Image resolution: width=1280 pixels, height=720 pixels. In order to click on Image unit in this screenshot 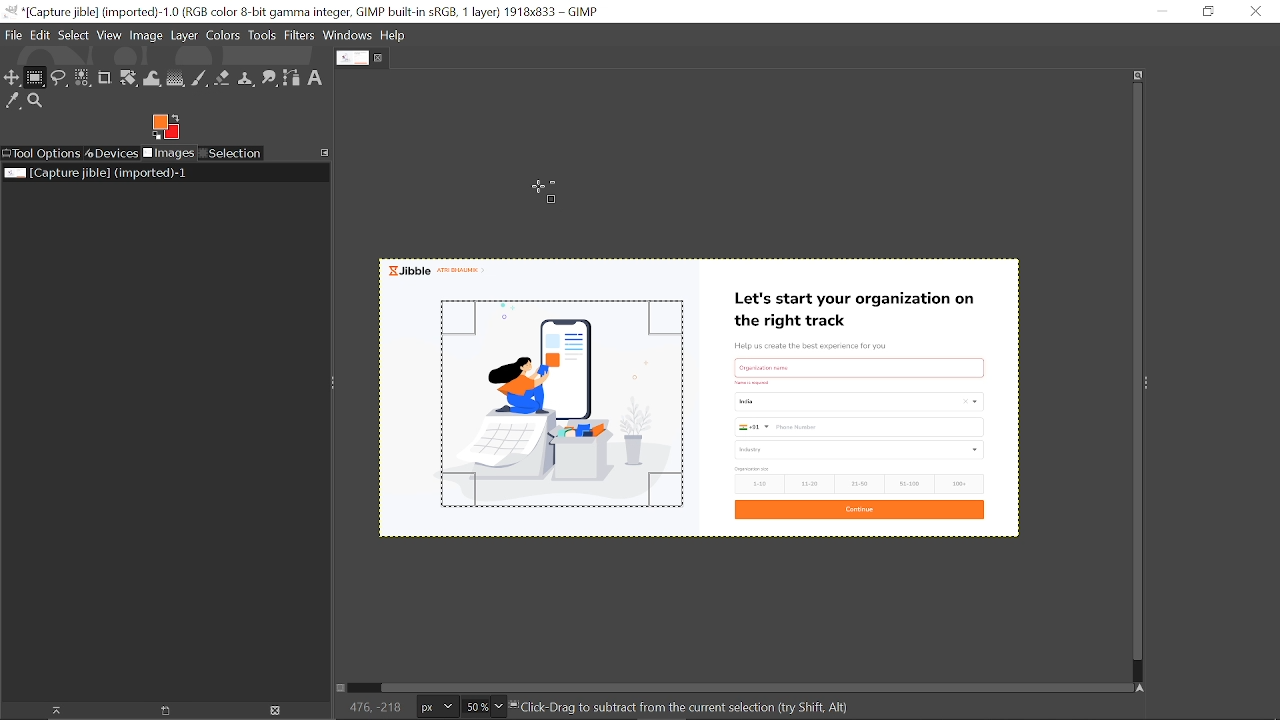, I will do `click(433, 707)`.